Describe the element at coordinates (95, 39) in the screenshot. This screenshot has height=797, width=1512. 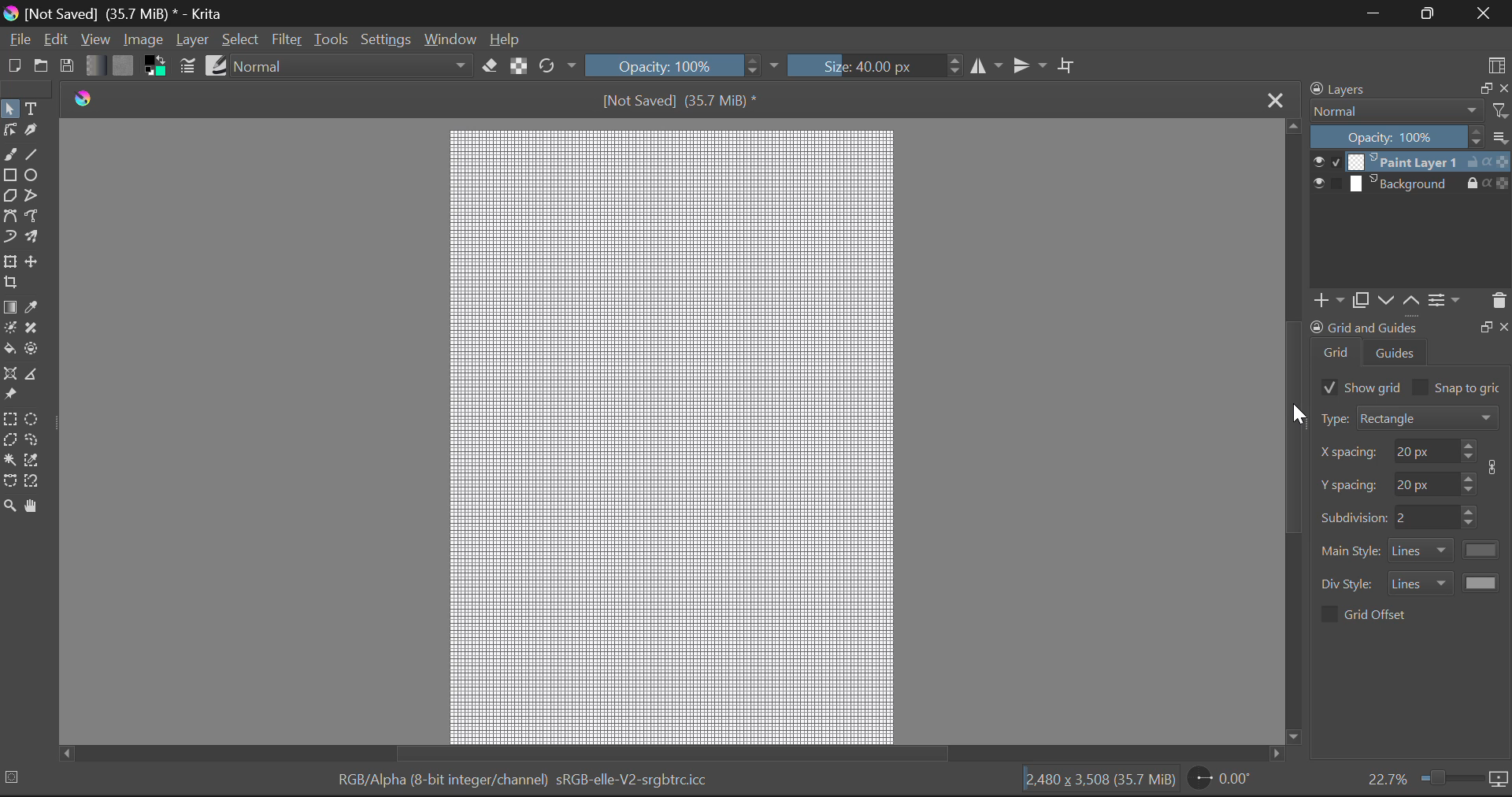
I see `View` at that location.